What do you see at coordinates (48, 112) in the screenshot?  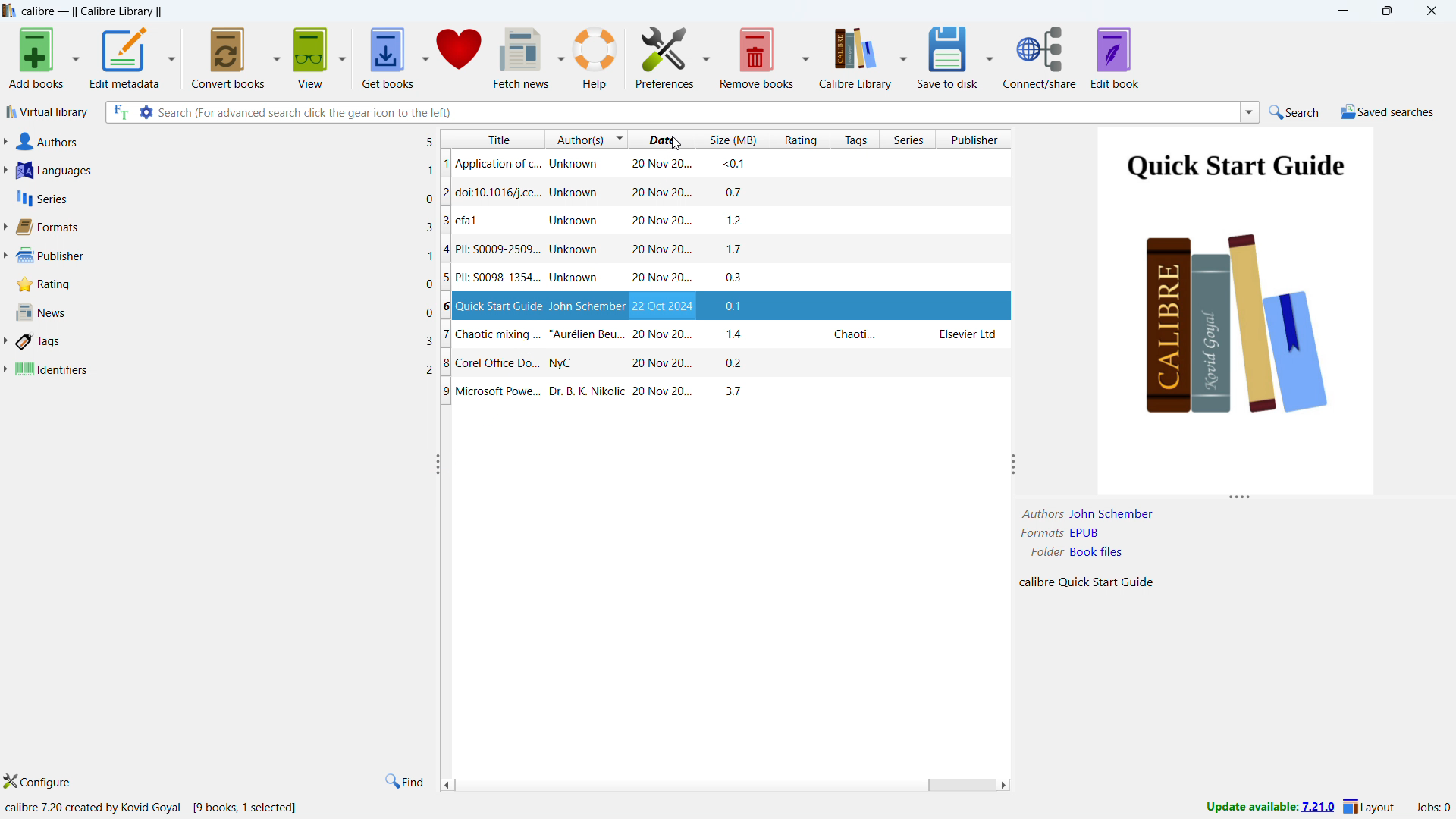 I see `virtual library` at bounding box center [48, 112].